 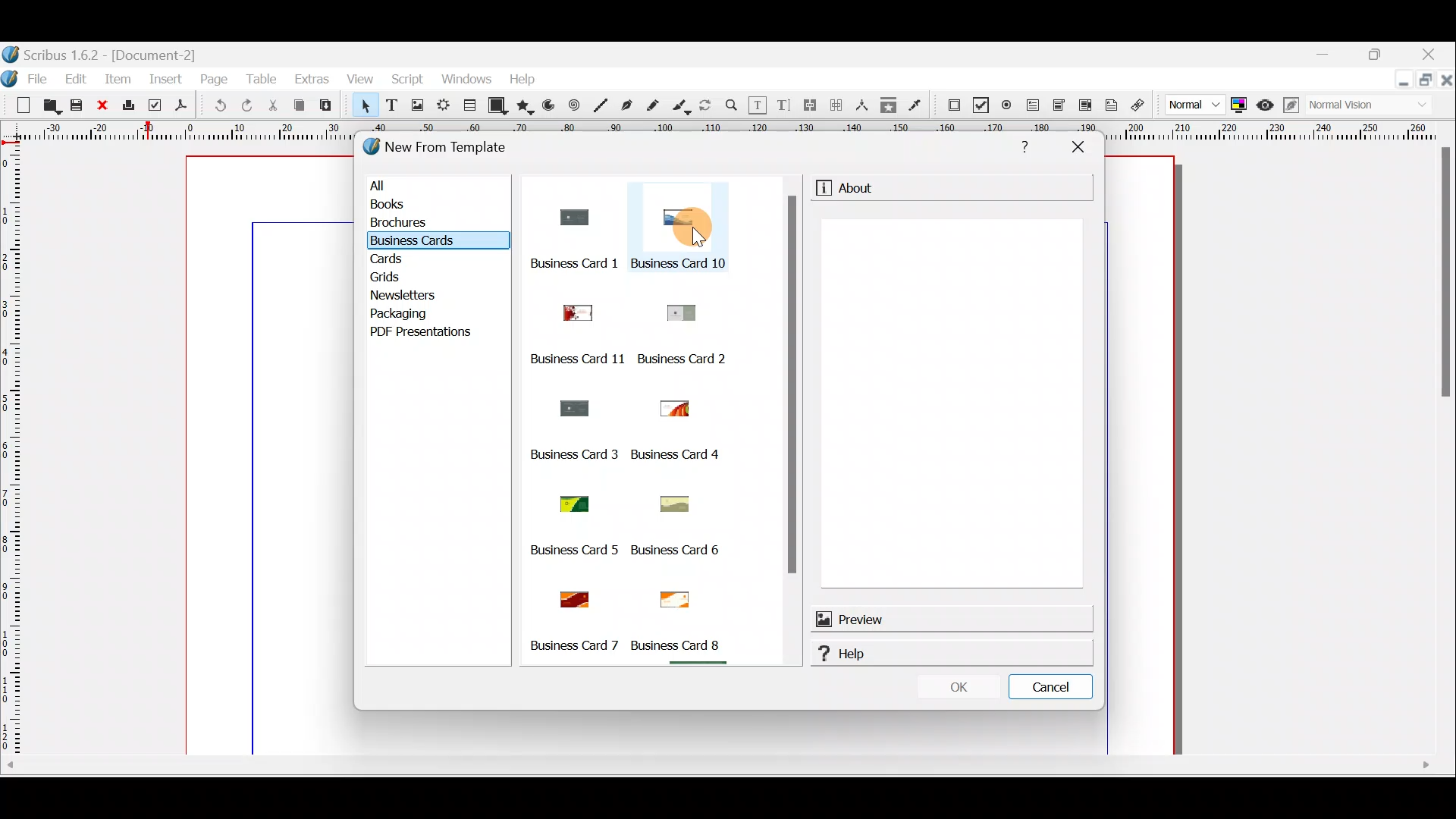 What do you see at coordinates (447, 149) in the screenshot?
I see `New from template` at bounding box center [447, 149].